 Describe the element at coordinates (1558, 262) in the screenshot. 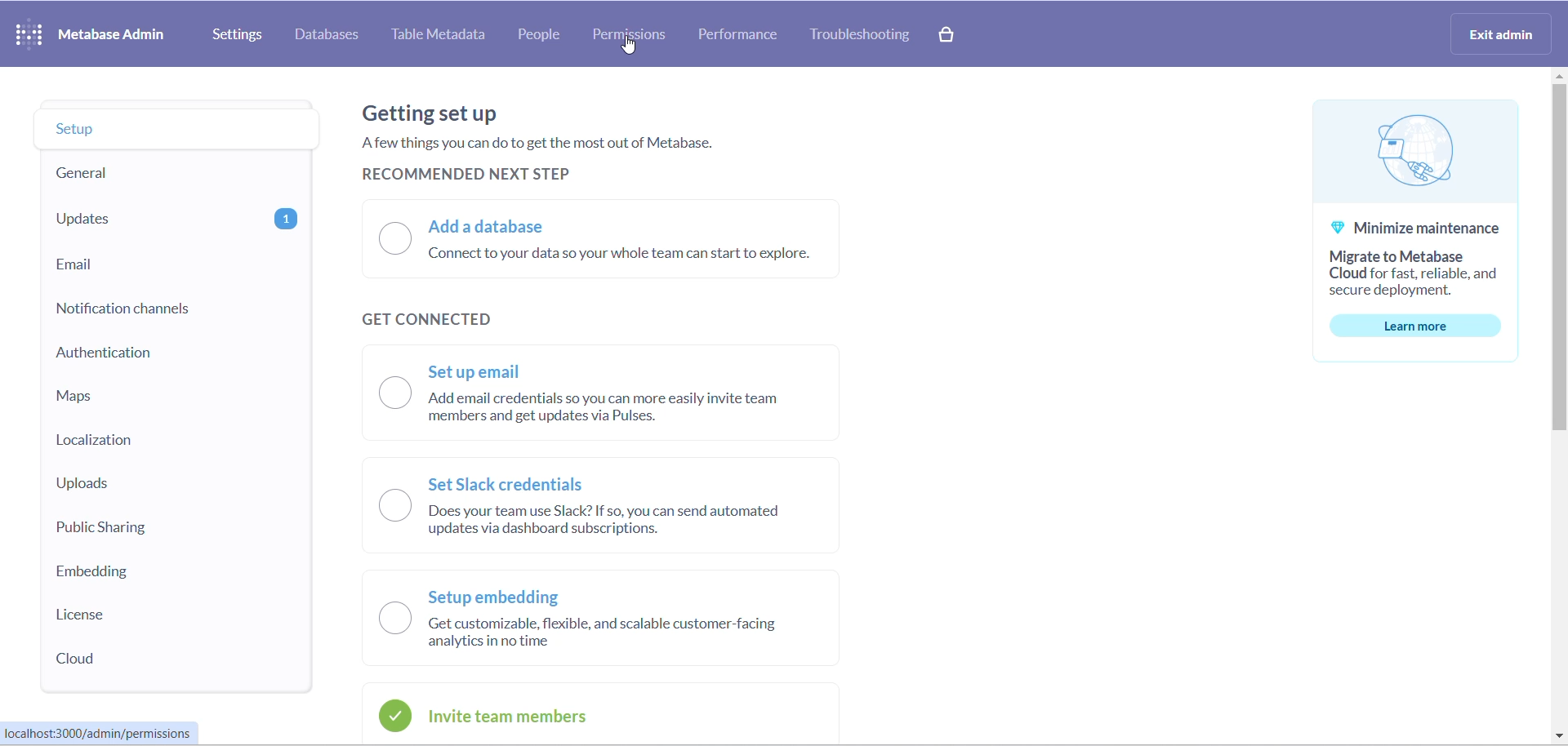

I see `scrollbar` at that location.